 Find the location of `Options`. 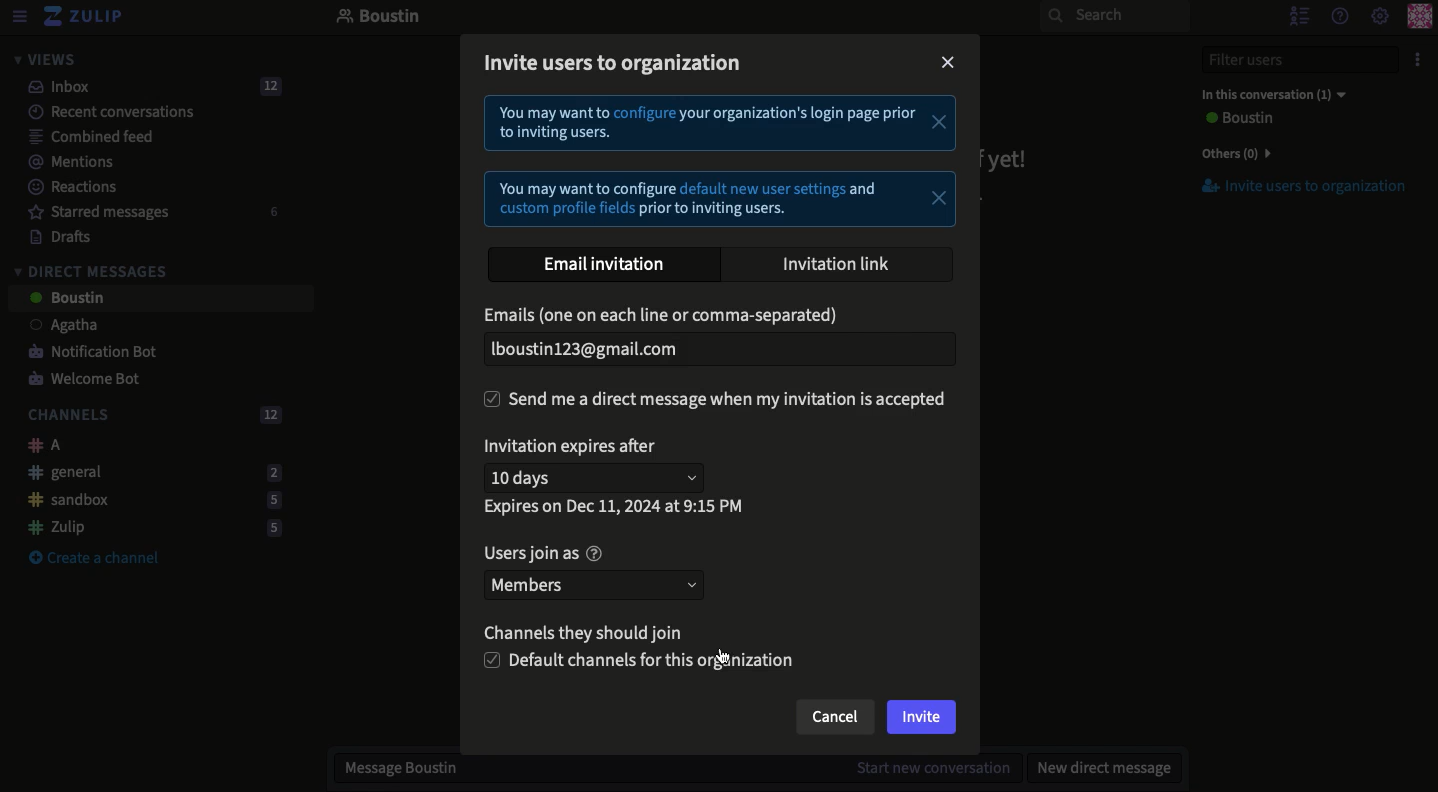

Options is located at coordinates (1415, 60).